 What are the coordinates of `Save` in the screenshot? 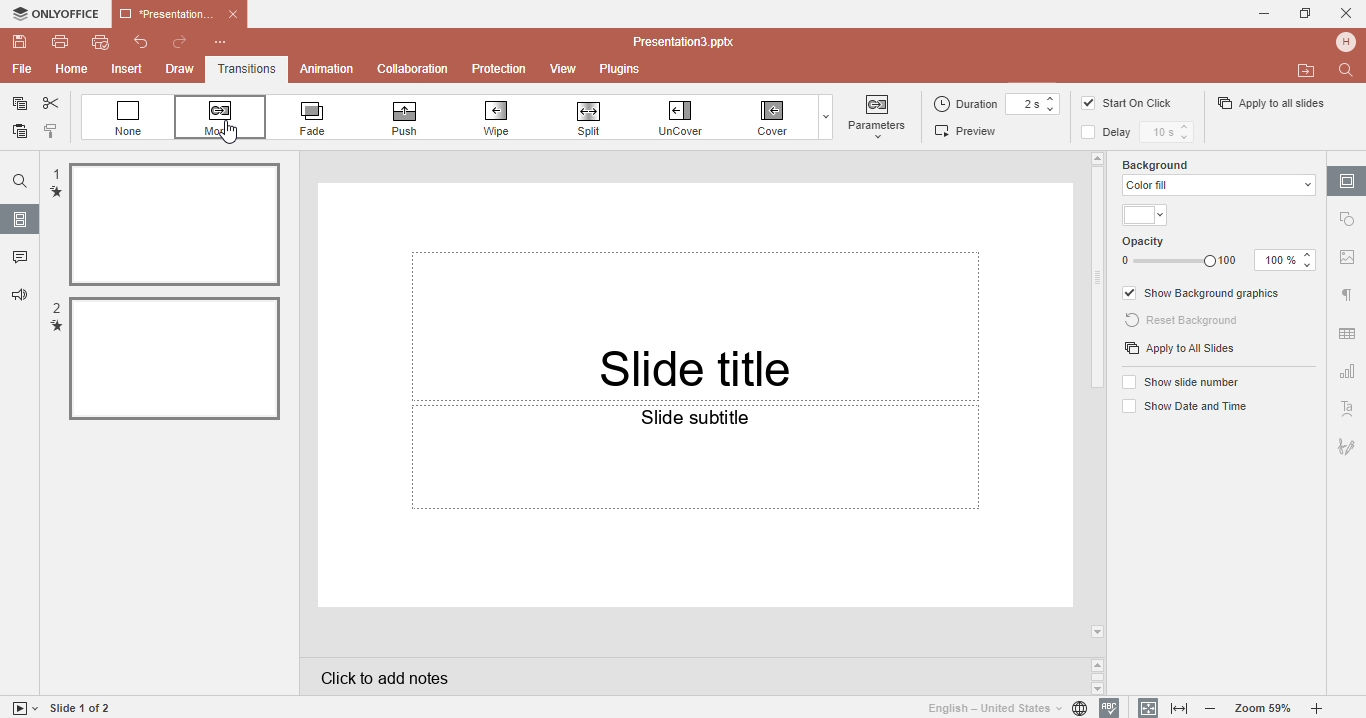 It's located at (17, 42).